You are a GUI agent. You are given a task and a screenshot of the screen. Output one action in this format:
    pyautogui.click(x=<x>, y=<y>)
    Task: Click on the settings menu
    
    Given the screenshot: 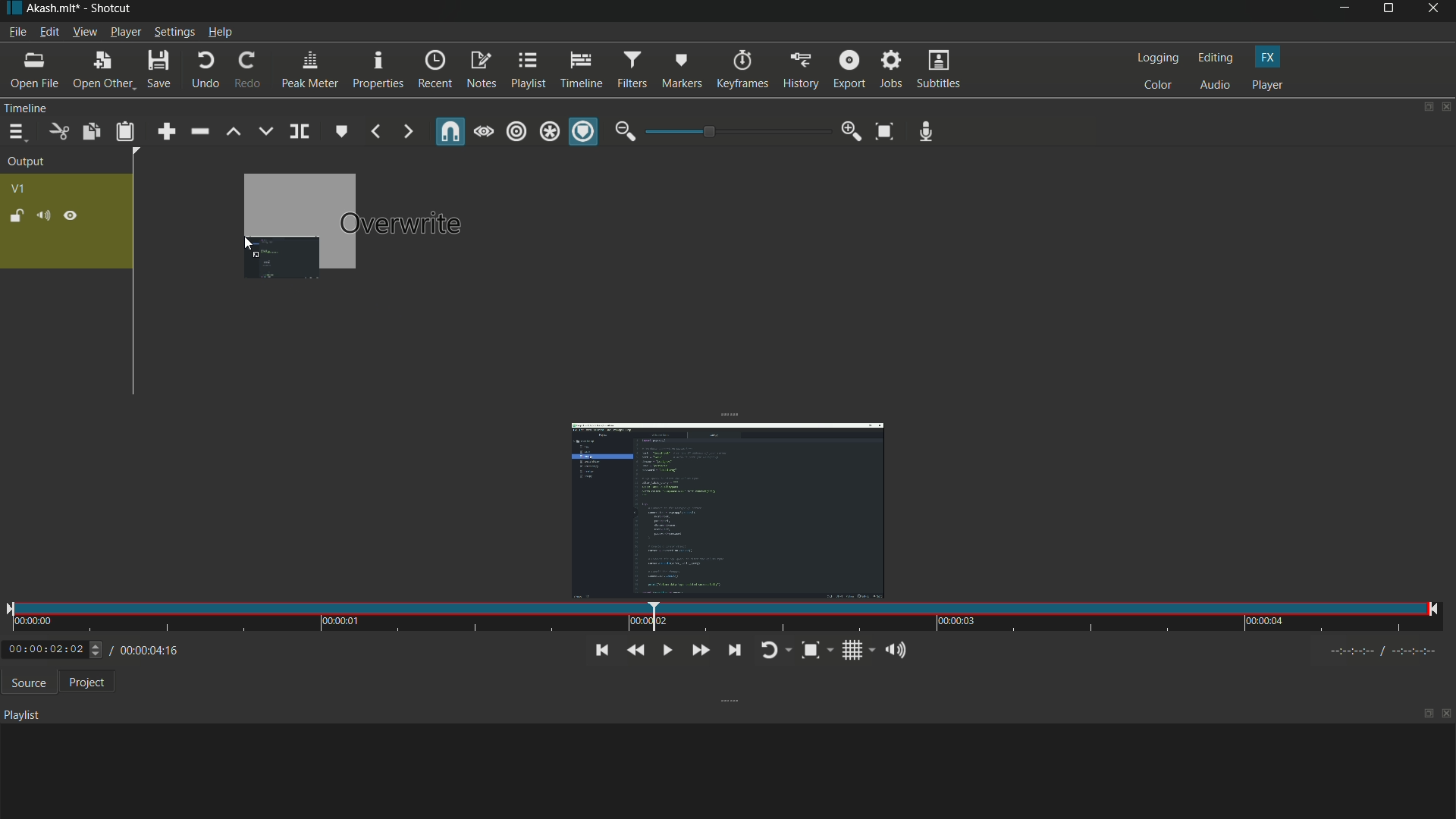 What is the action you would take?
    pyautogui.click(x=174, y=32)
    